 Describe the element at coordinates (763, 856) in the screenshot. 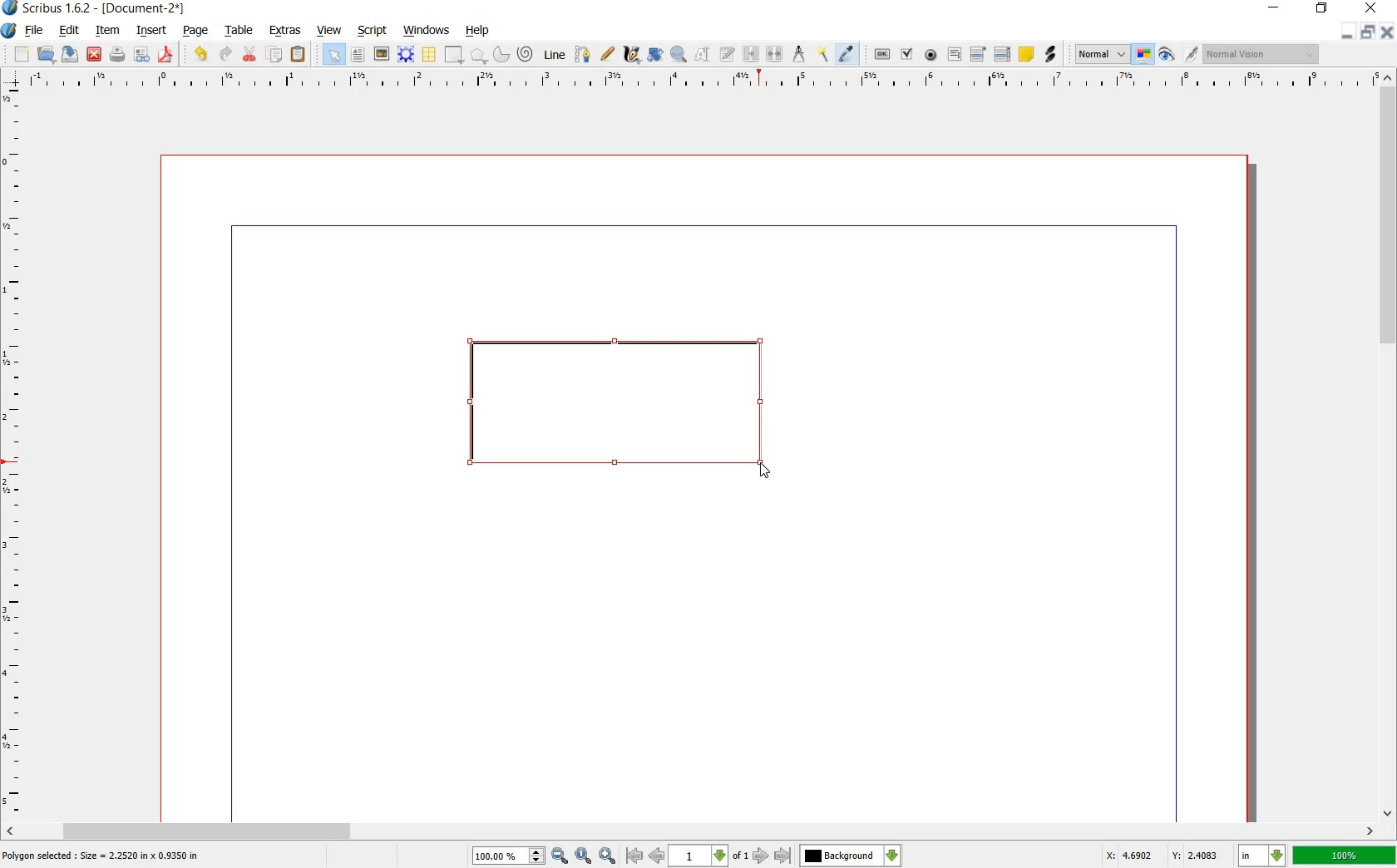

I see `go to next page` at that location.